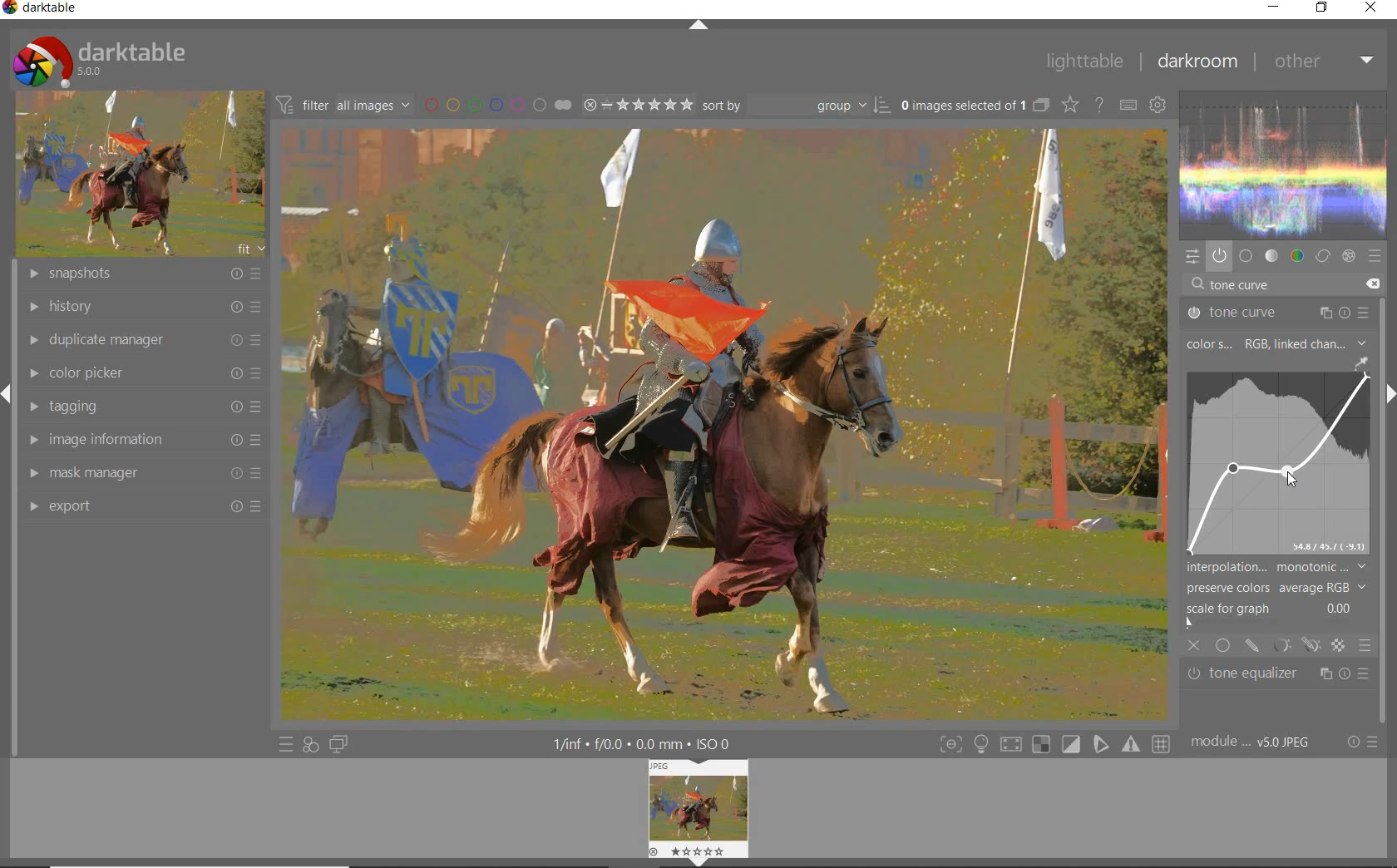 The height and width of the screenshot is (868, 1397). Describe the element at coordinates (286, 745) in the screenshot. I see `quick access to presets` at that location.